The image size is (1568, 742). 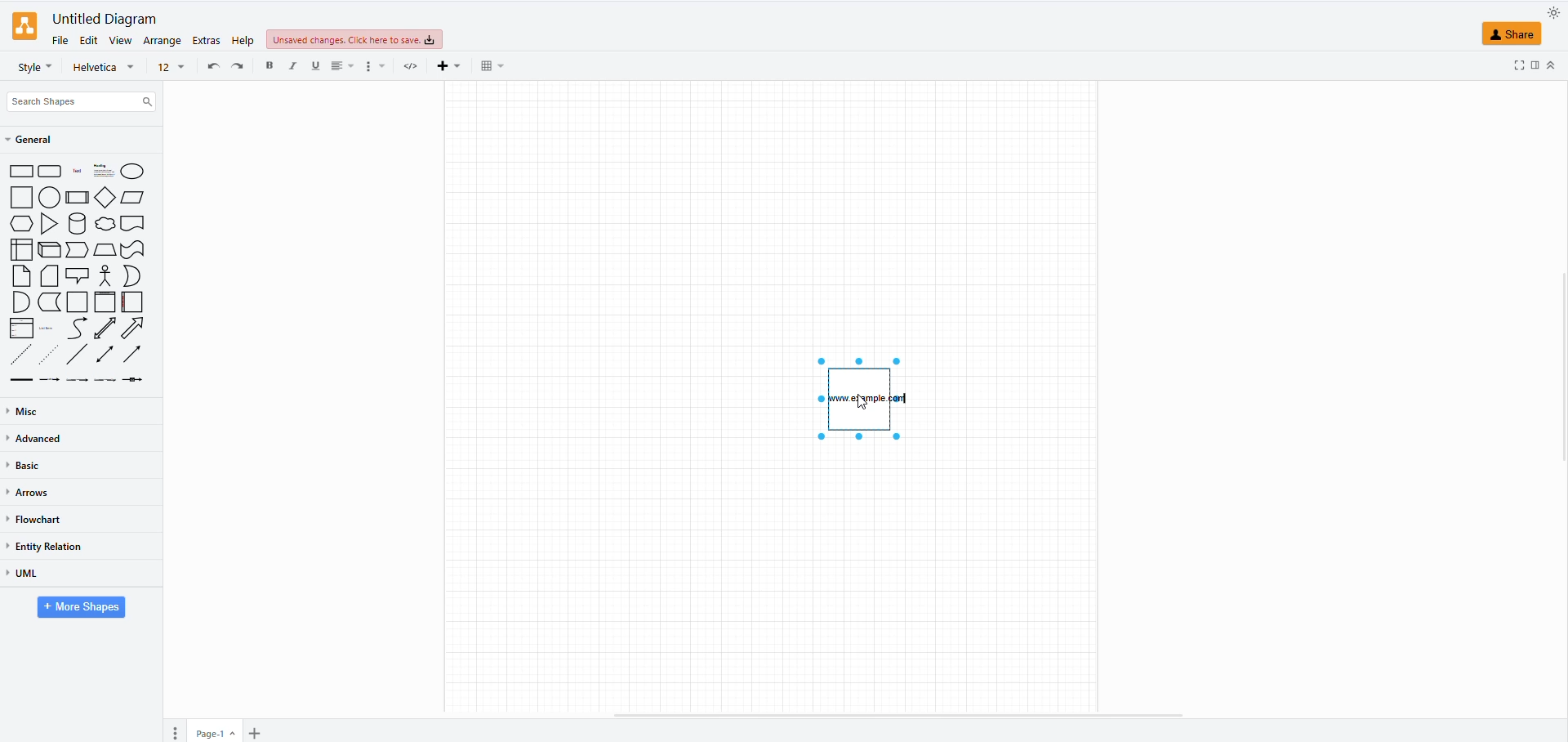 I want to click on note, so click(x=22, y=275).